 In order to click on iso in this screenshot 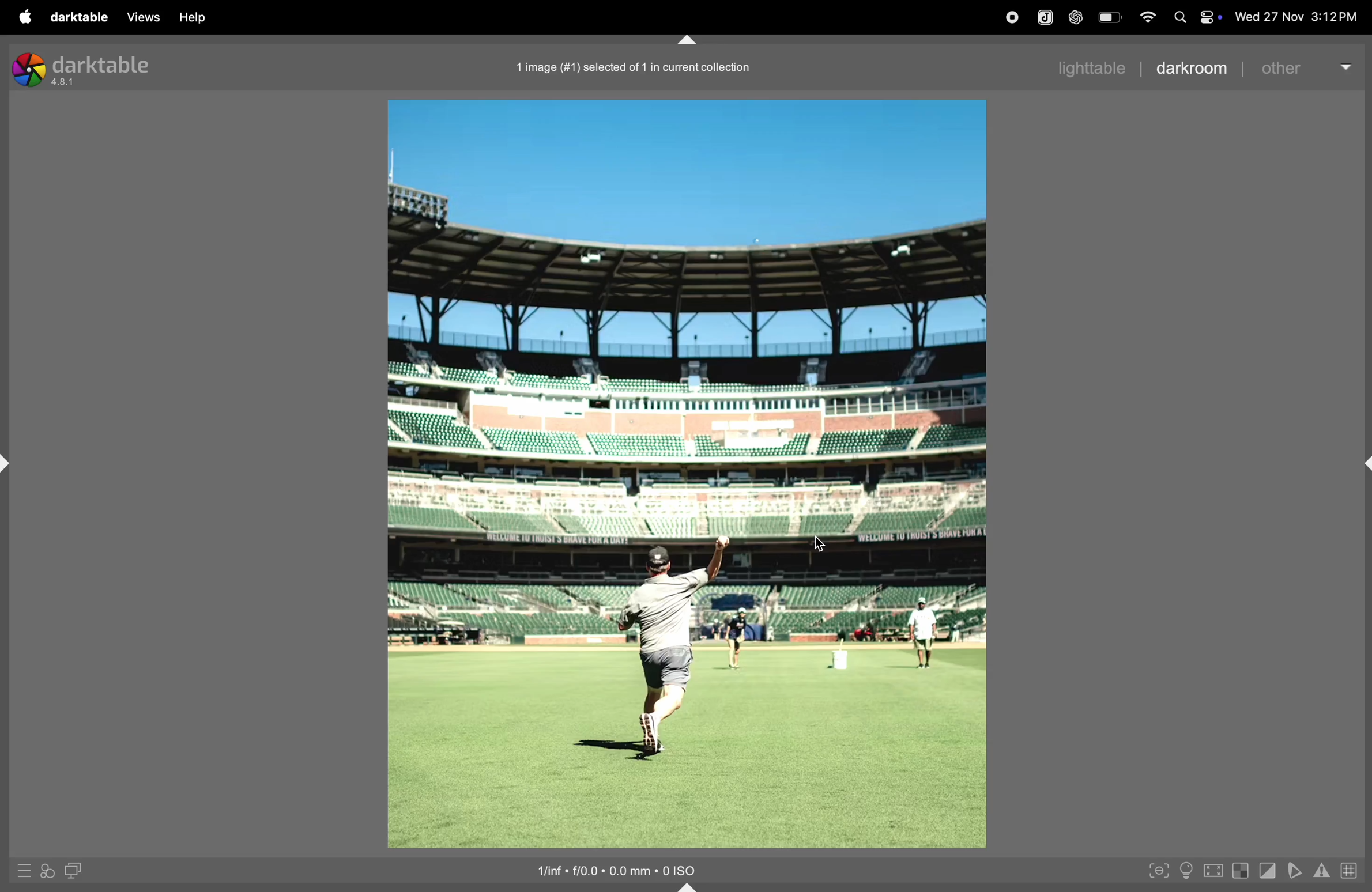, I will do `click(624, 870)`.